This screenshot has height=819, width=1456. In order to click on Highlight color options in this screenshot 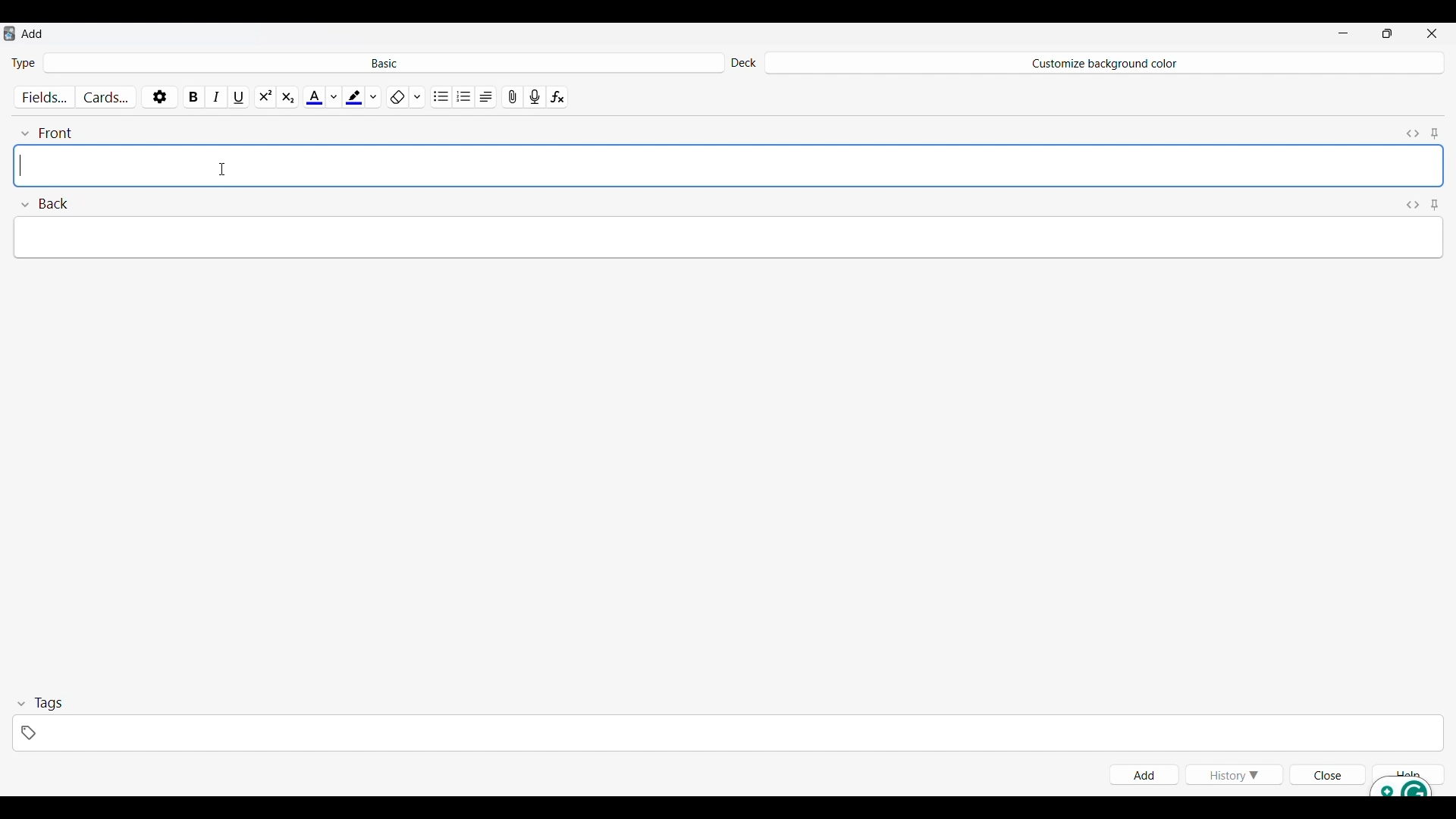, I will do `click(374, 94)`.